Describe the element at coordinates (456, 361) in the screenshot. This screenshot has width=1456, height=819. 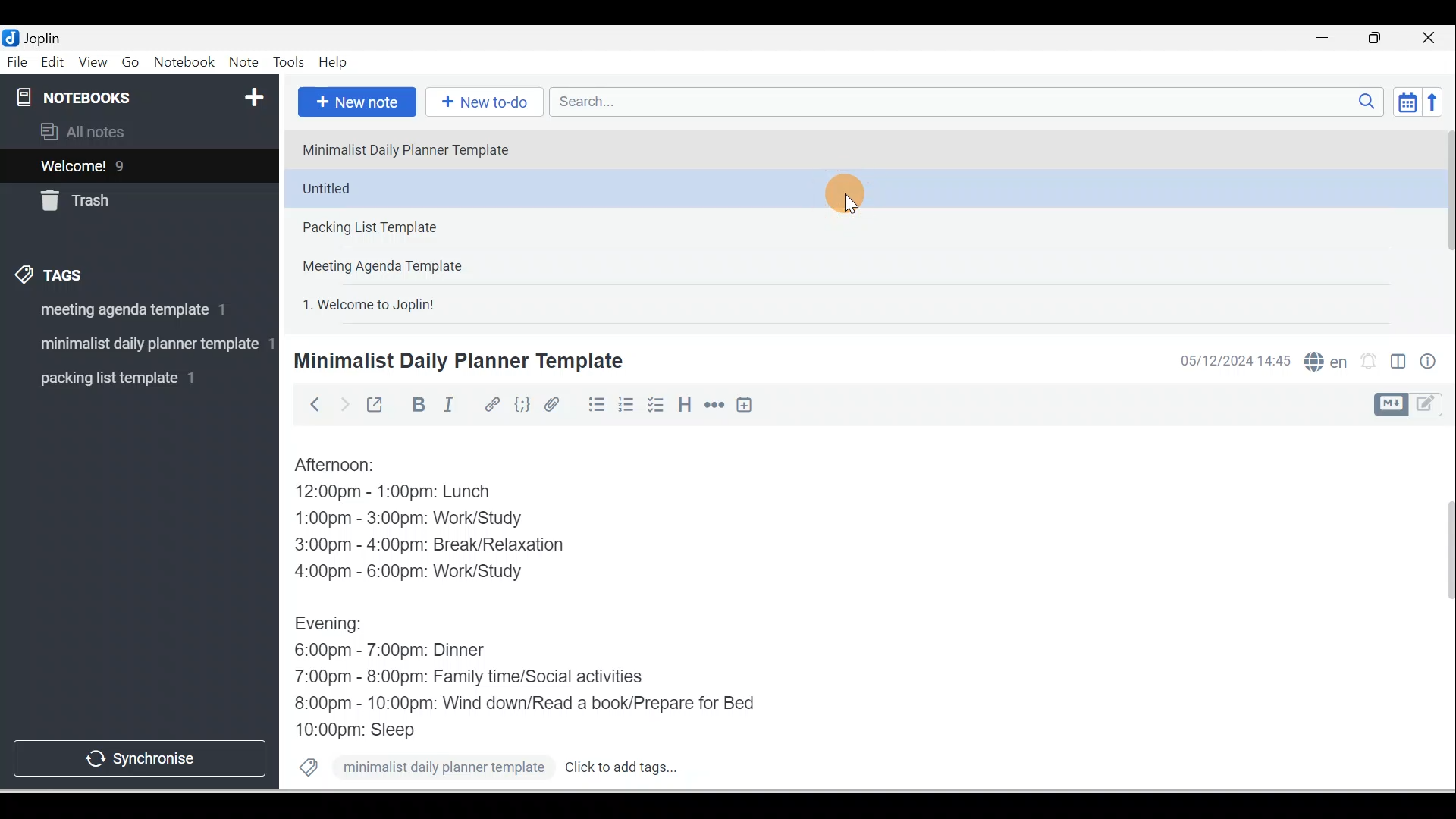
I see `Minimalist Daily Planner Template` at that location.